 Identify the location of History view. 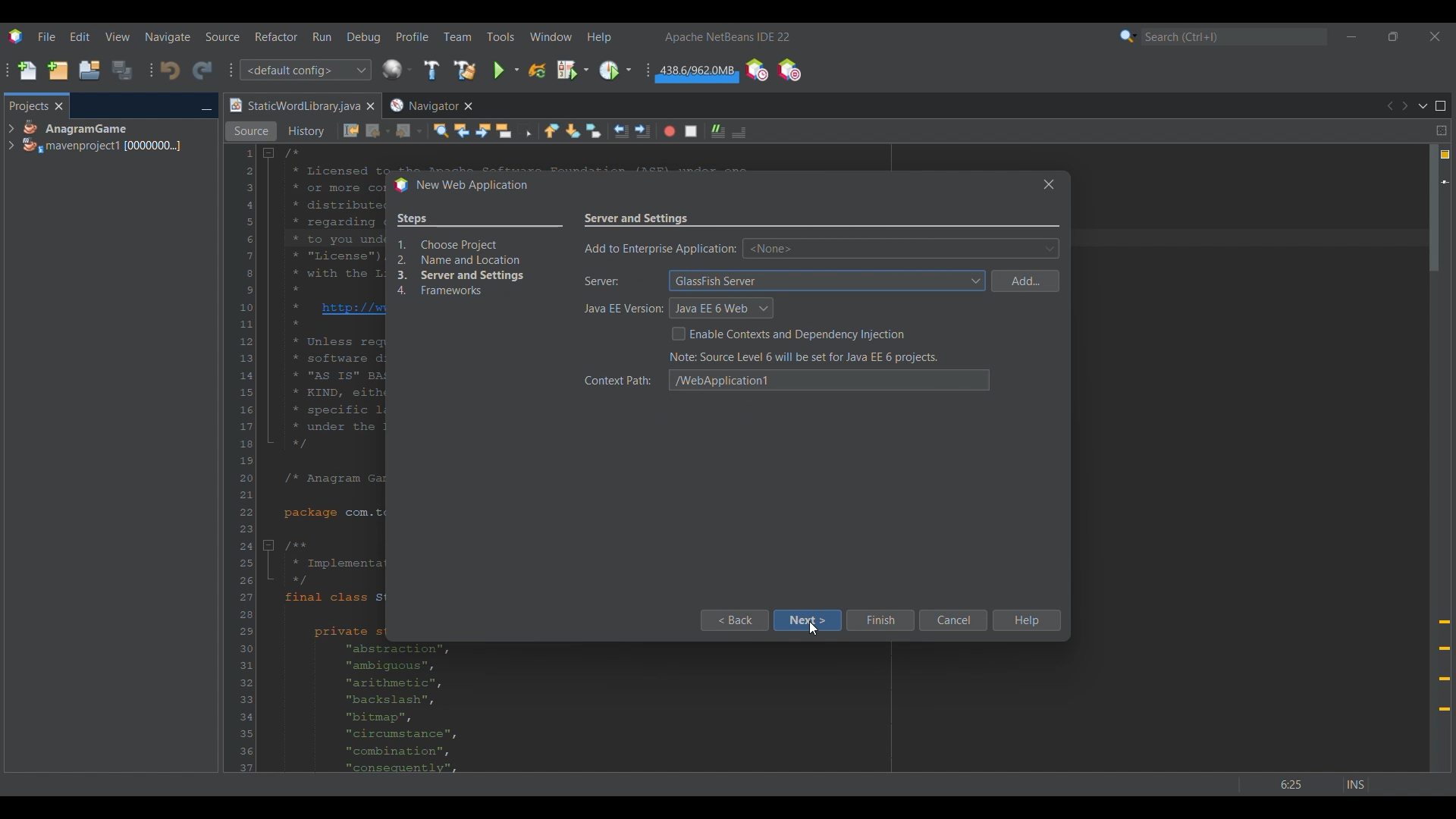
(308, 131).